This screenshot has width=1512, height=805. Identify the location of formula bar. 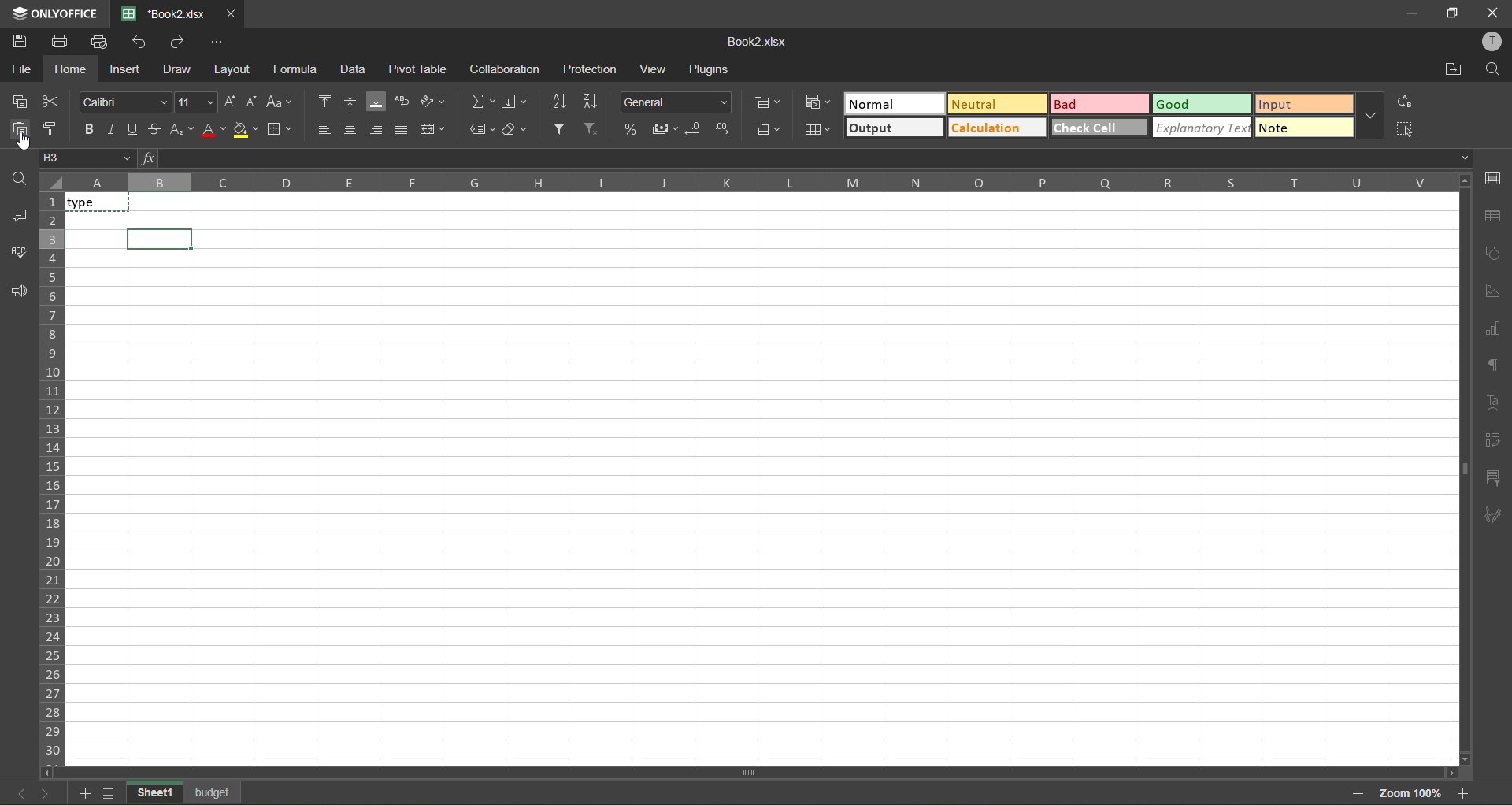
(807, 156).